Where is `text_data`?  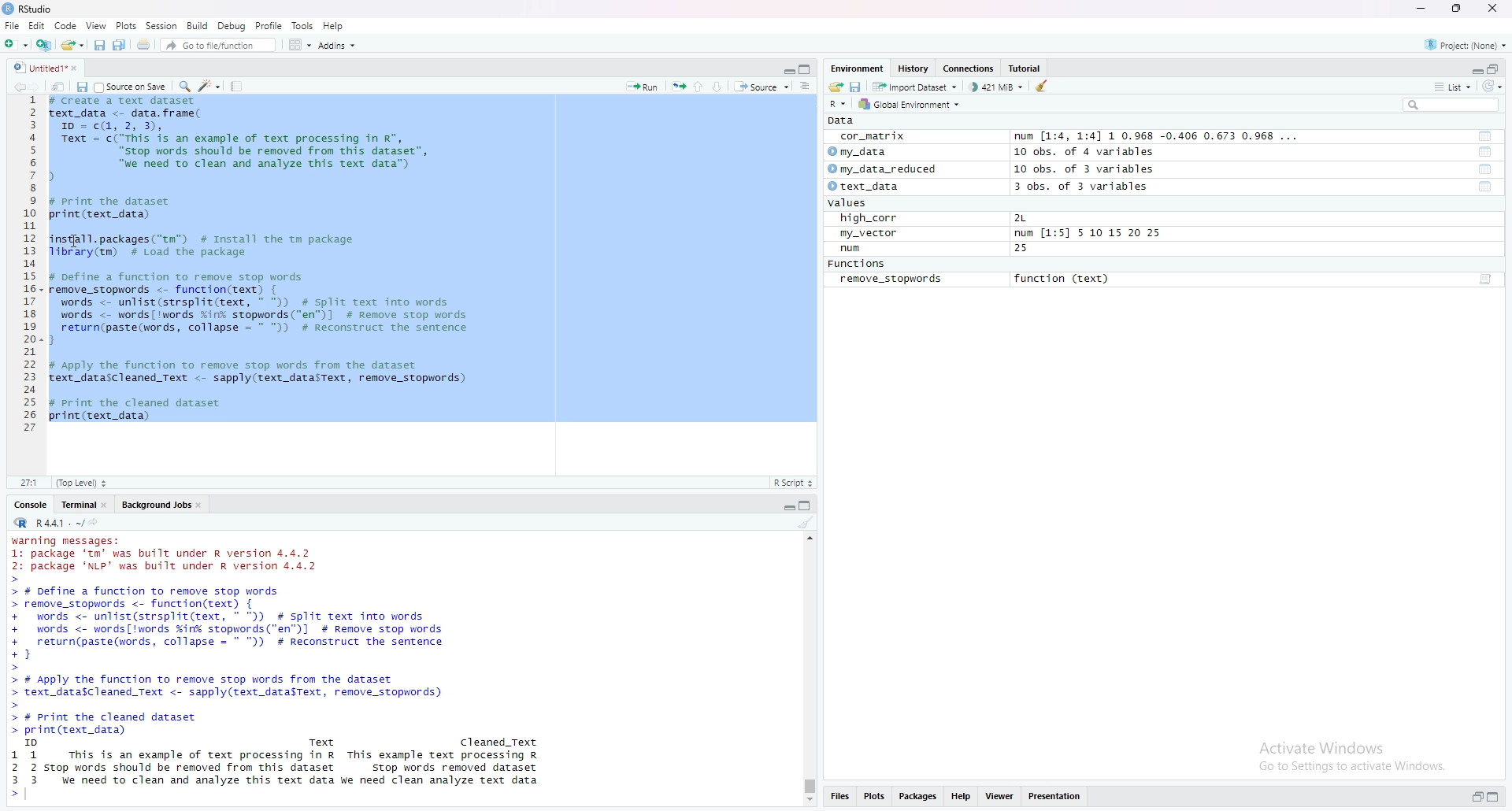 text_data is located at coordinates (861, 187).